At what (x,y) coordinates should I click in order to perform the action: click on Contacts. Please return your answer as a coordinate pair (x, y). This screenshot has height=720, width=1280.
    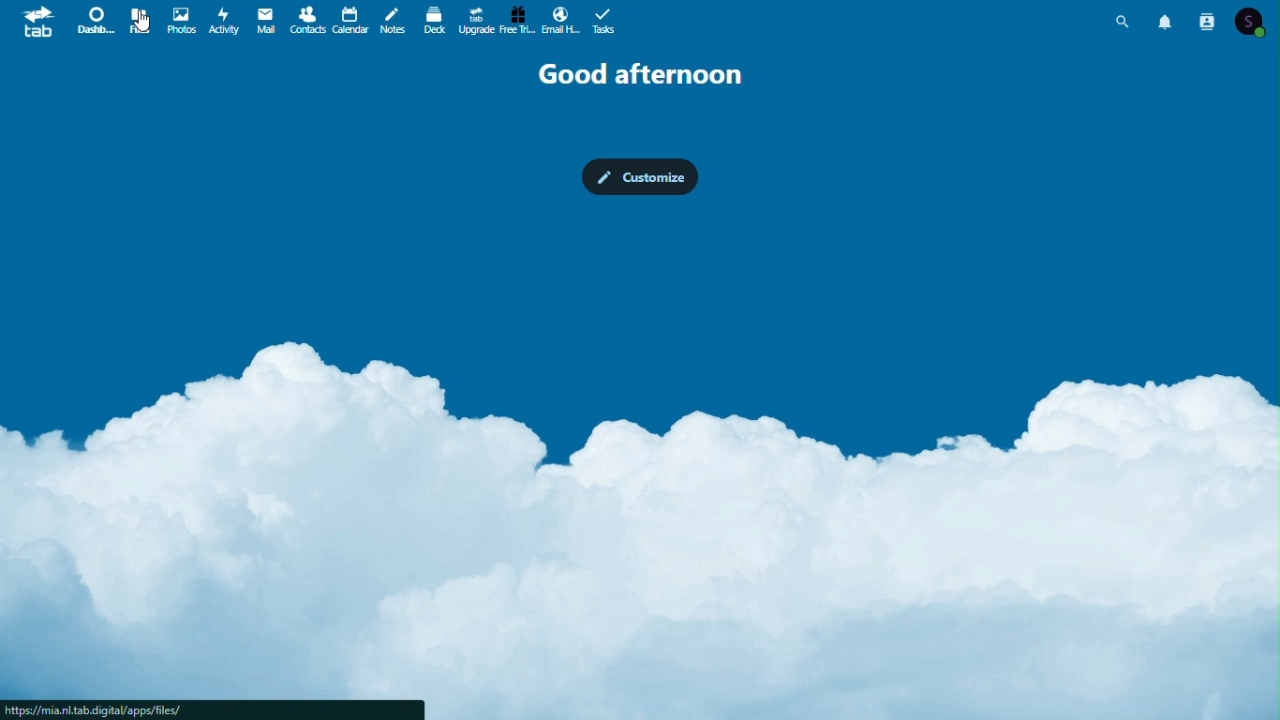
    Looking at the image, I should click on (306, 21).